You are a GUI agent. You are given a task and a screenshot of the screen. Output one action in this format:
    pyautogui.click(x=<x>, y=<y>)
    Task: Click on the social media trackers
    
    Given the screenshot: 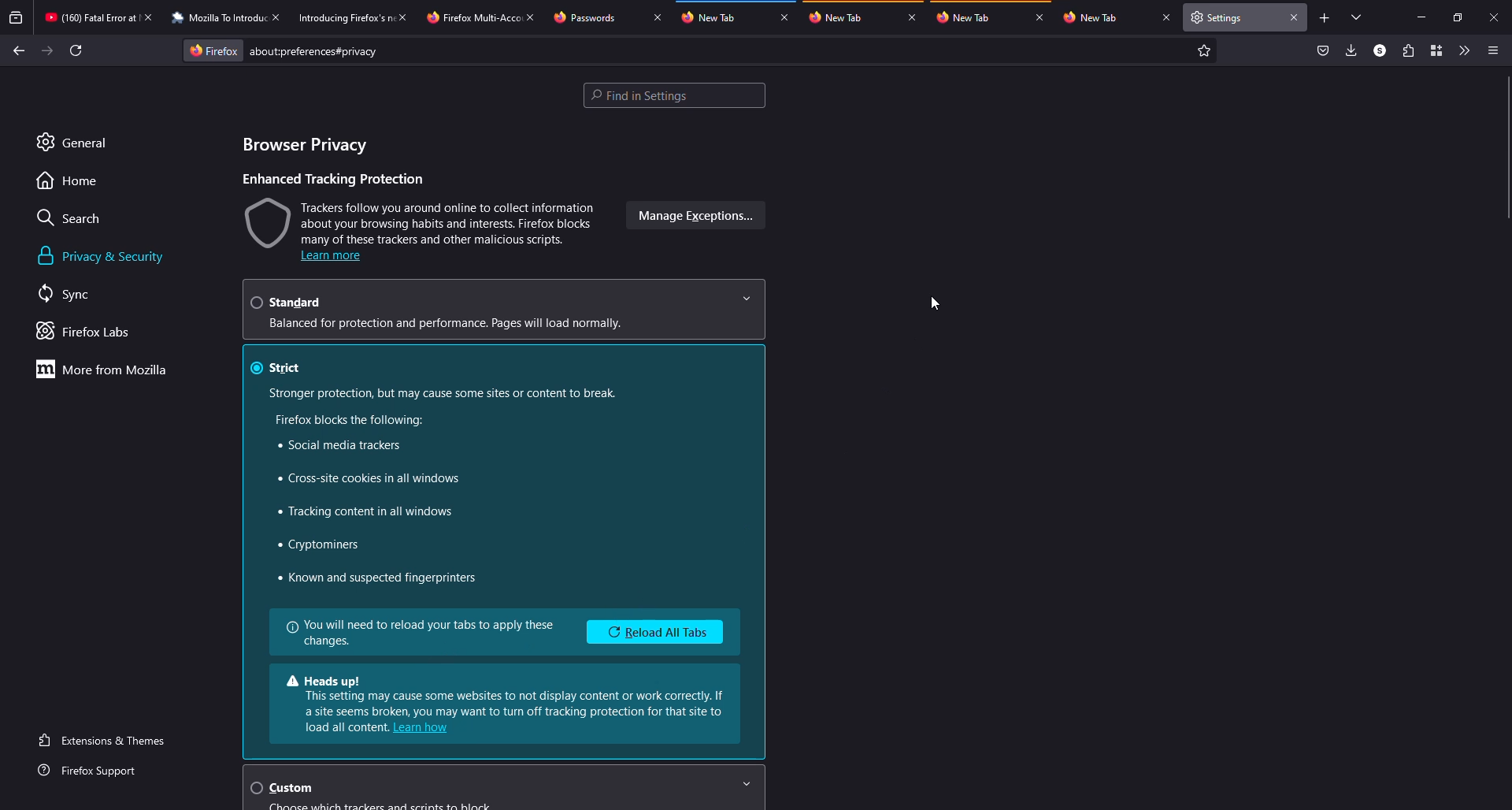 What is the action you would take?
    pyautogui.click(x=338, y=444)
    